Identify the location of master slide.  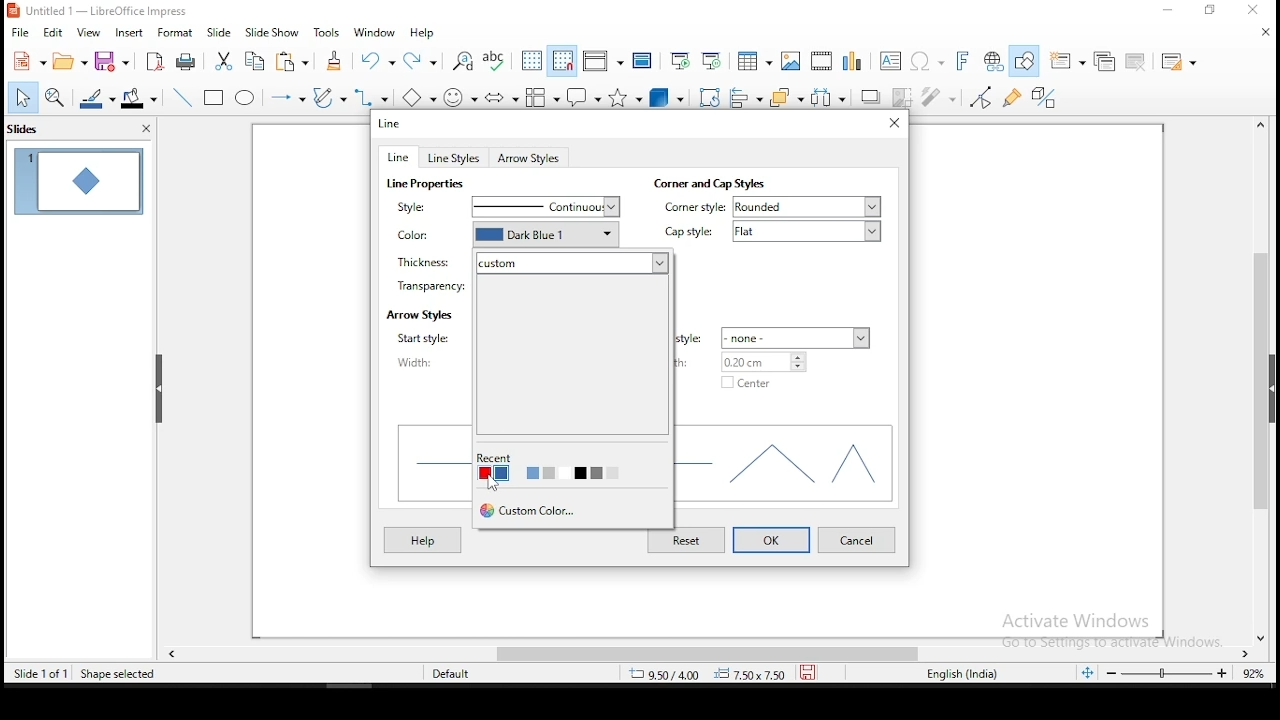
(642, 61).